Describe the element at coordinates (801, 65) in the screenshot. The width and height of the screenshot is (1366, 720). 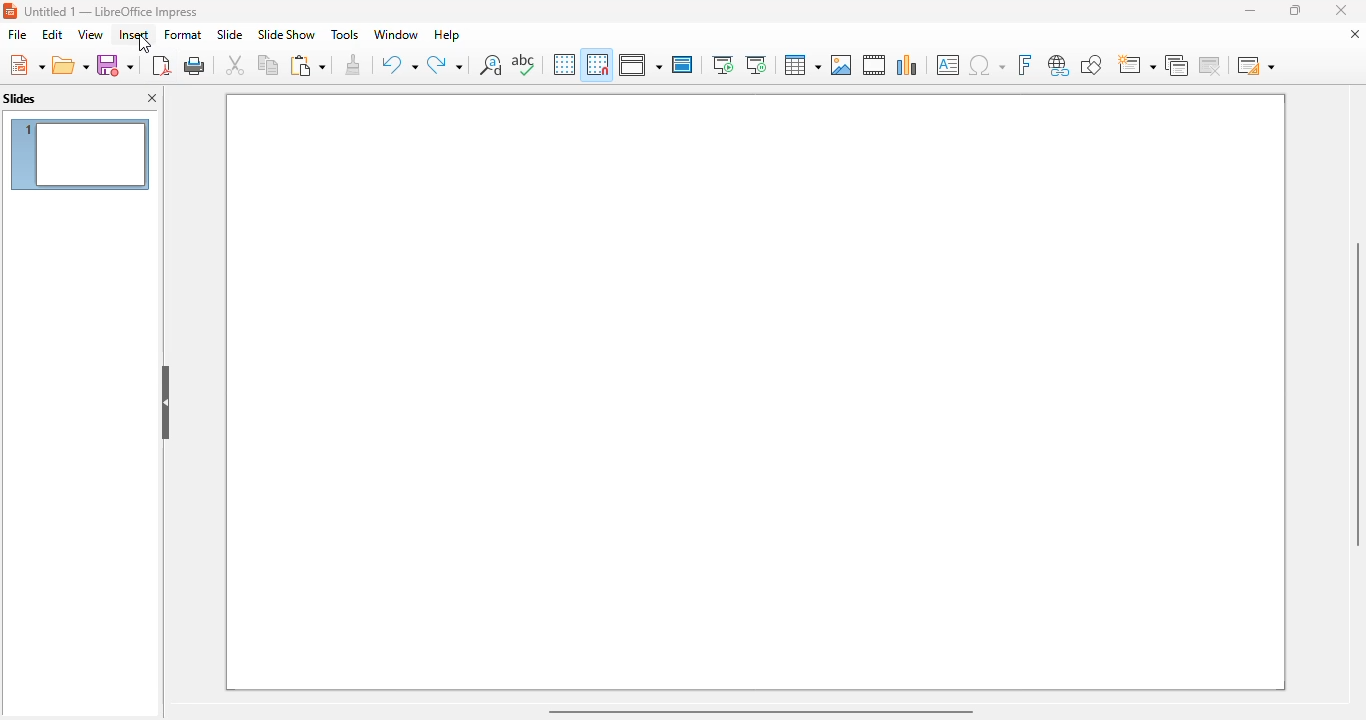
I see `table` at that location.